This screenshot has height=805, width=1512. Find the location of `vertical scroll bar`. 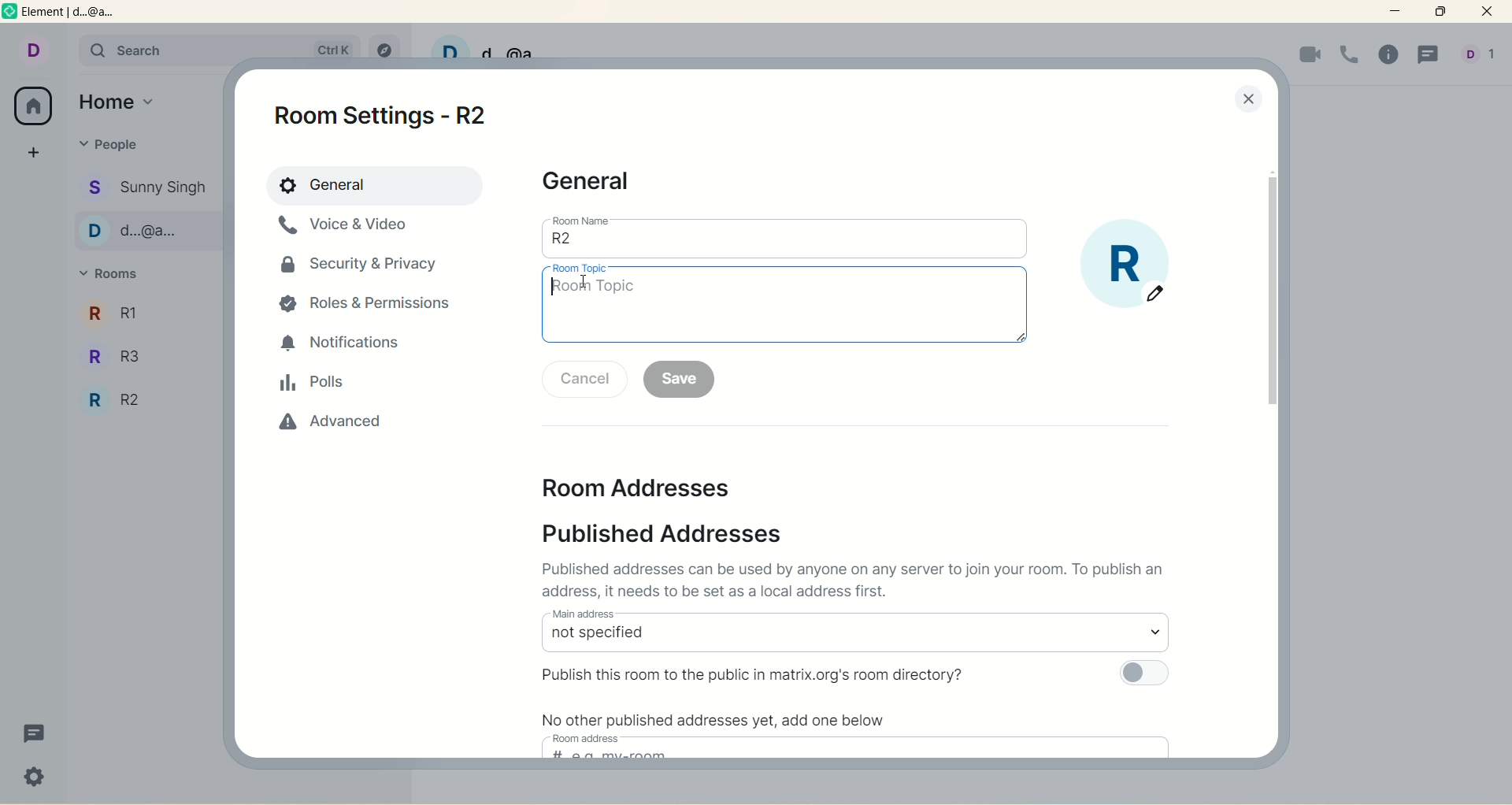

vertical scroll bar is located at coordinates (1269, 292).